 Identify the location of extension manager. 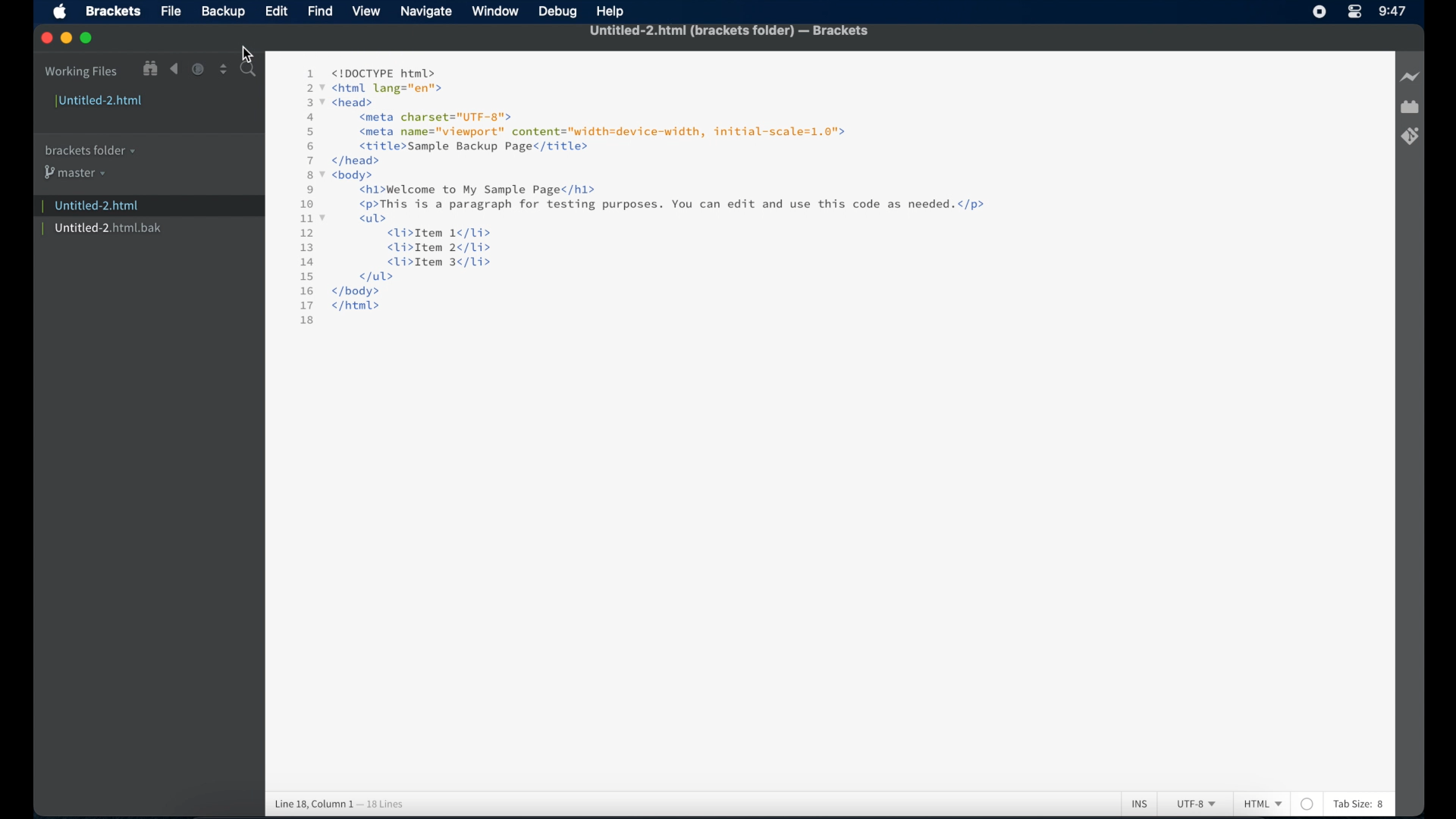
(1410, 107).